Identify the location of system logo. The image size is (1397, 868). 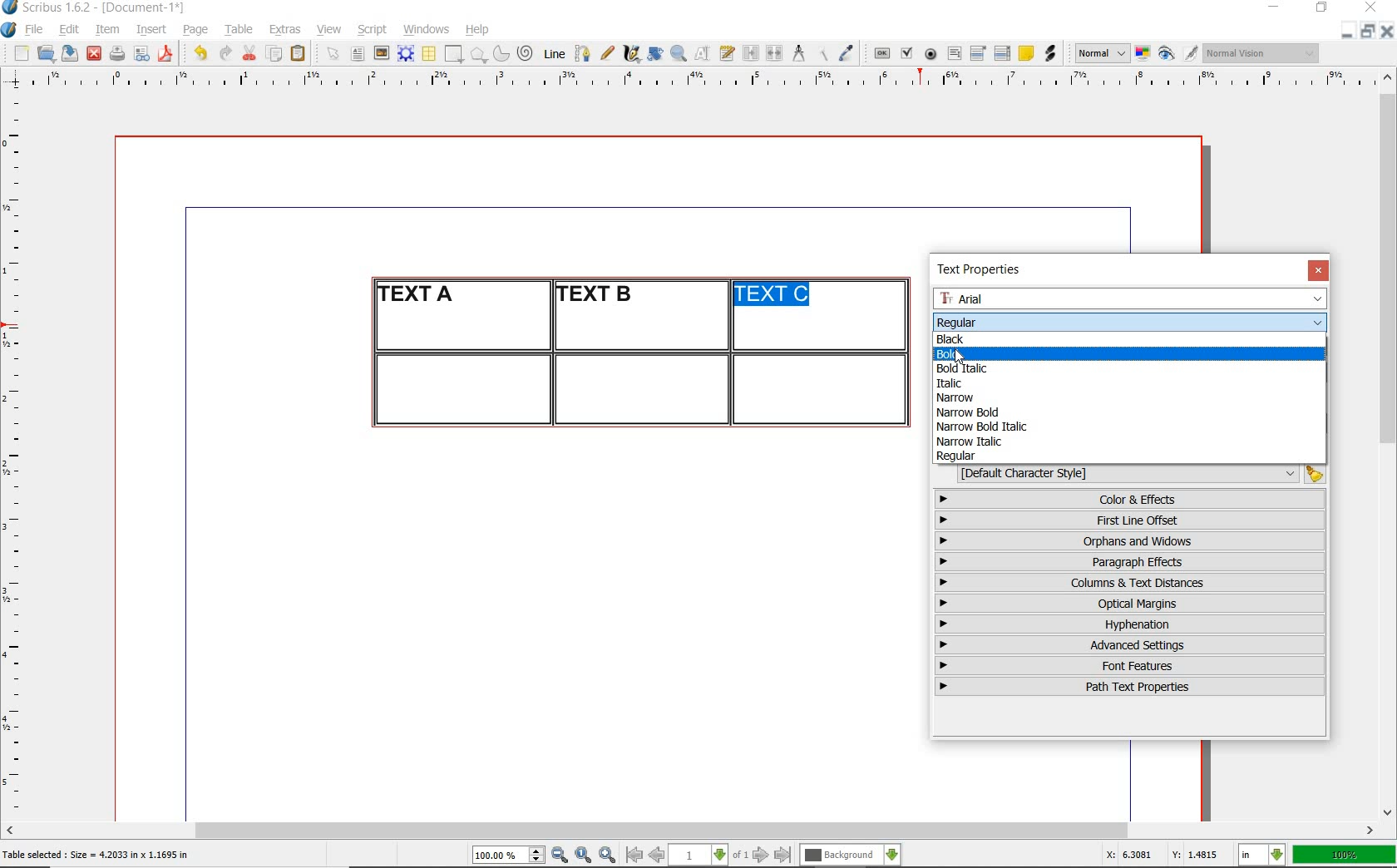
(10, 30).